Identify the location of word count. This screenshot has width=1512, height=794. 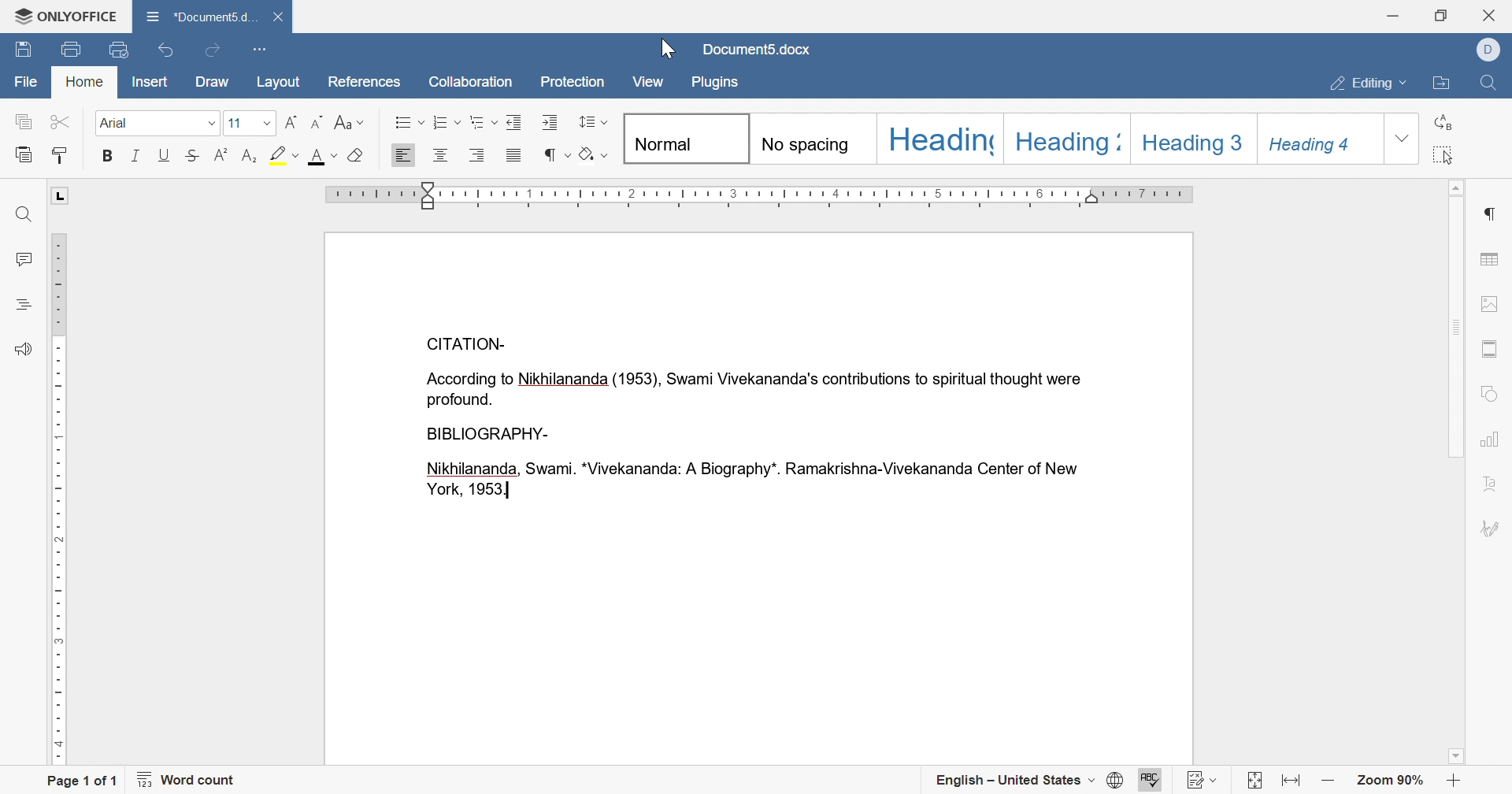
(187, 781).